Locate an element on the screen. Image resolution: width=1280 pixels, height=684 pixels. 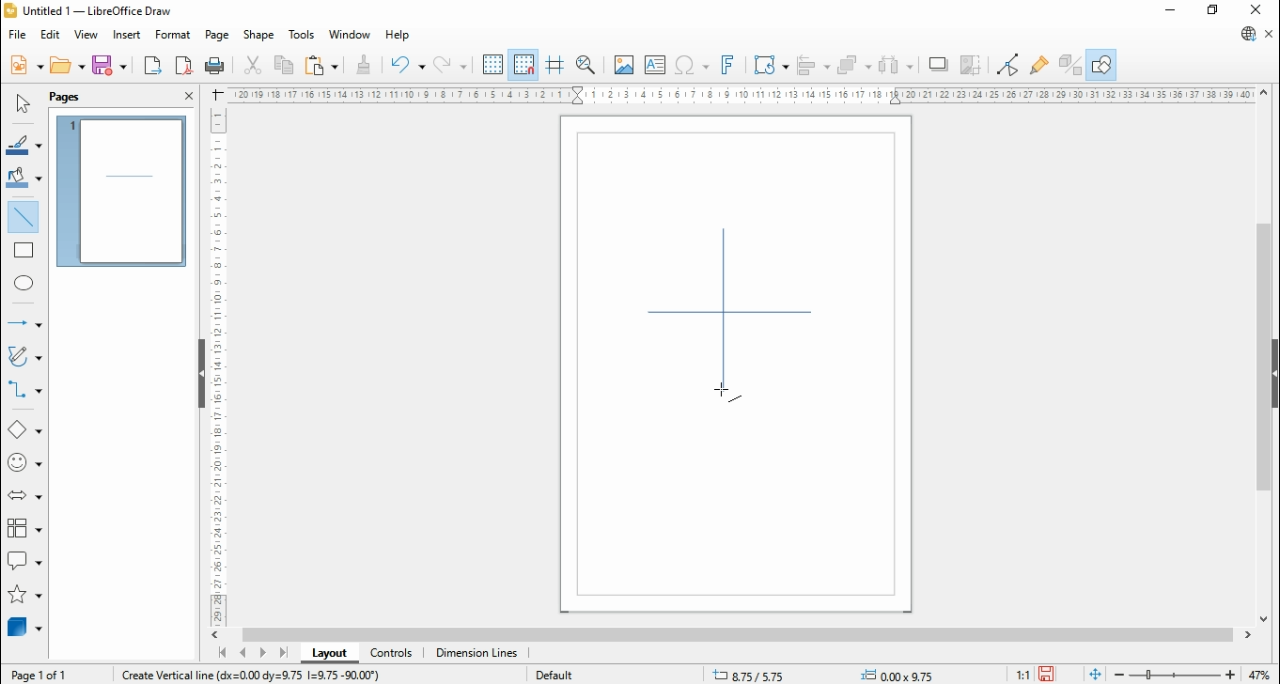
page is located at coordinates (215, 35).